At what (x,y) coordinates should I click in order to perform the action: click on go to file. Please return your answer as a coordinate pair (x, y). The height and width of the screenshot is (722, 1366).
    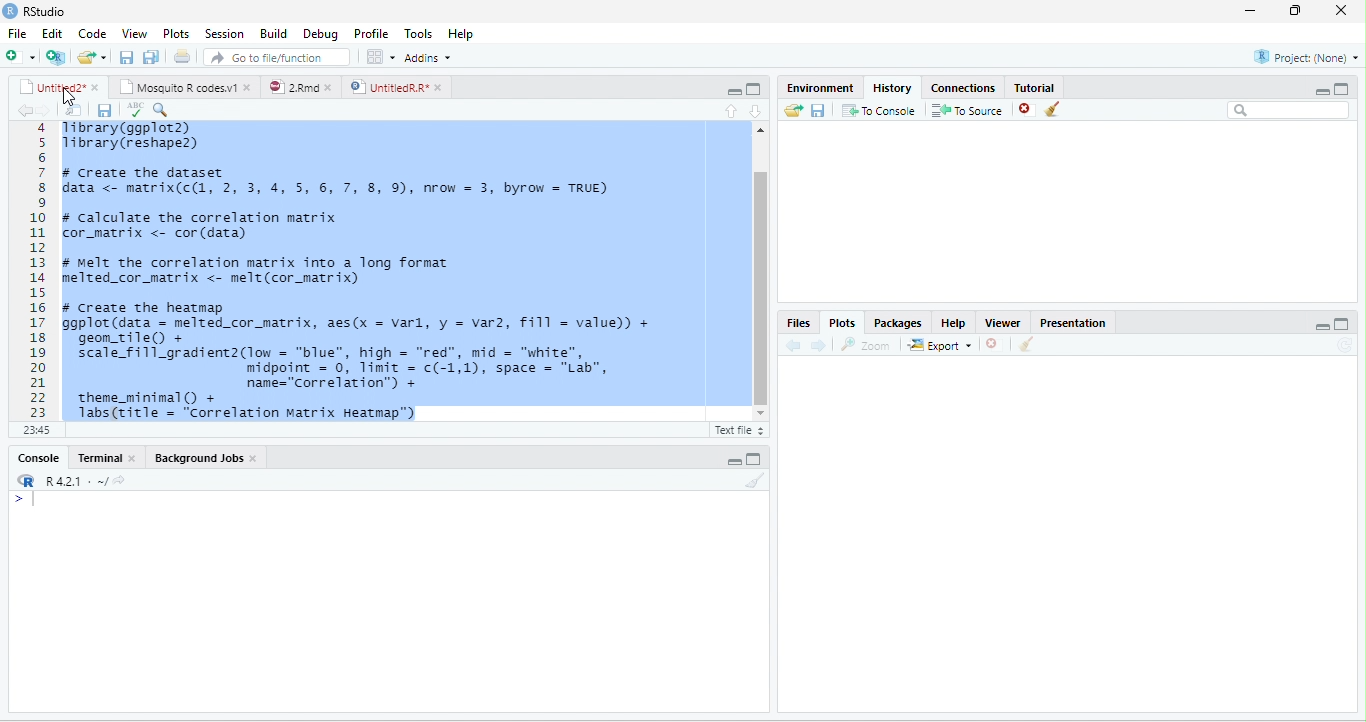
    Looking at the image, I should click on (278, 56).